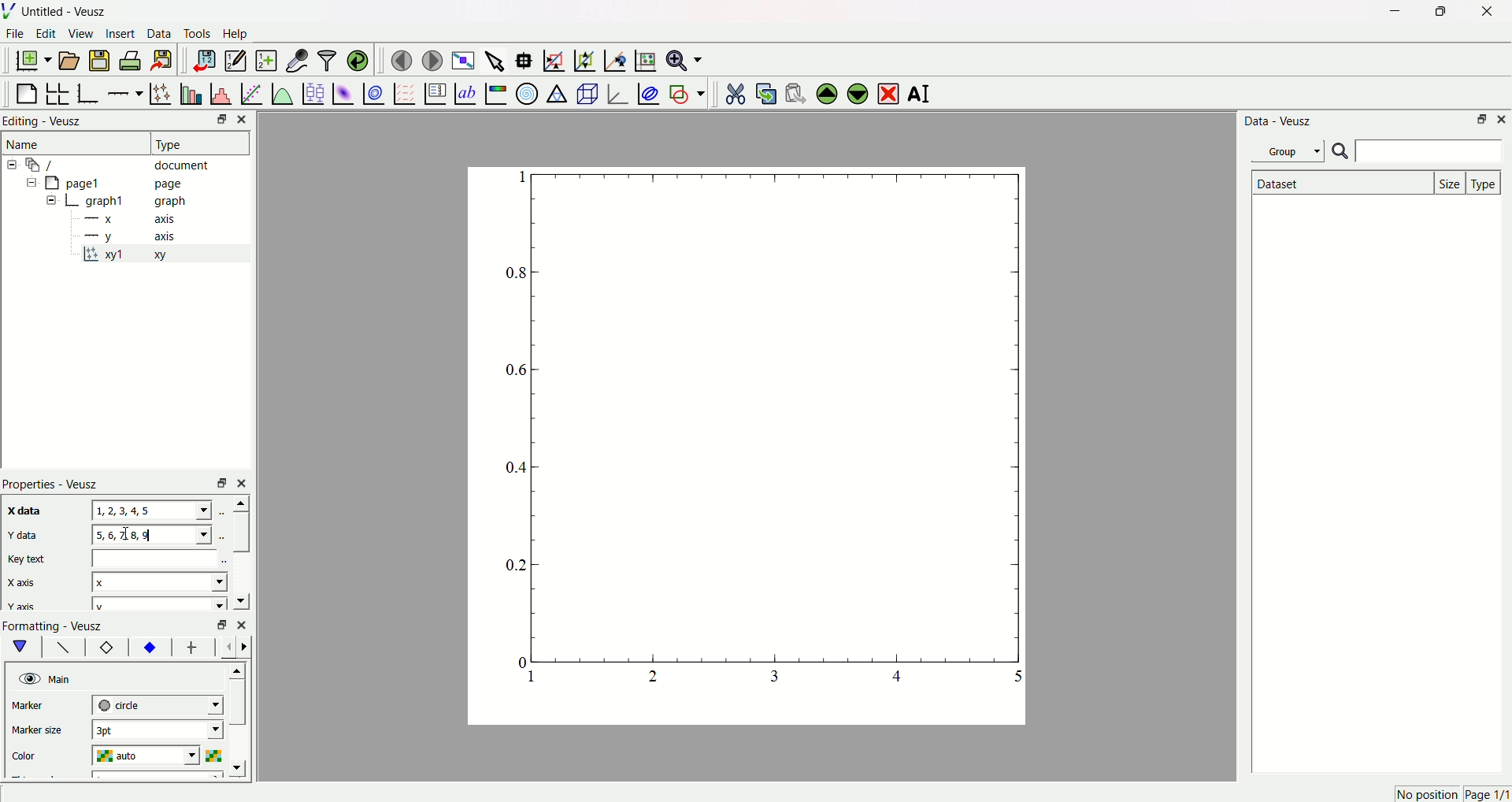 This screenshot has height=802, width=1512. What do you see at coordinates (1451, 182) in the screenshot?
I see `Size` at bounding box center [1451, 182].